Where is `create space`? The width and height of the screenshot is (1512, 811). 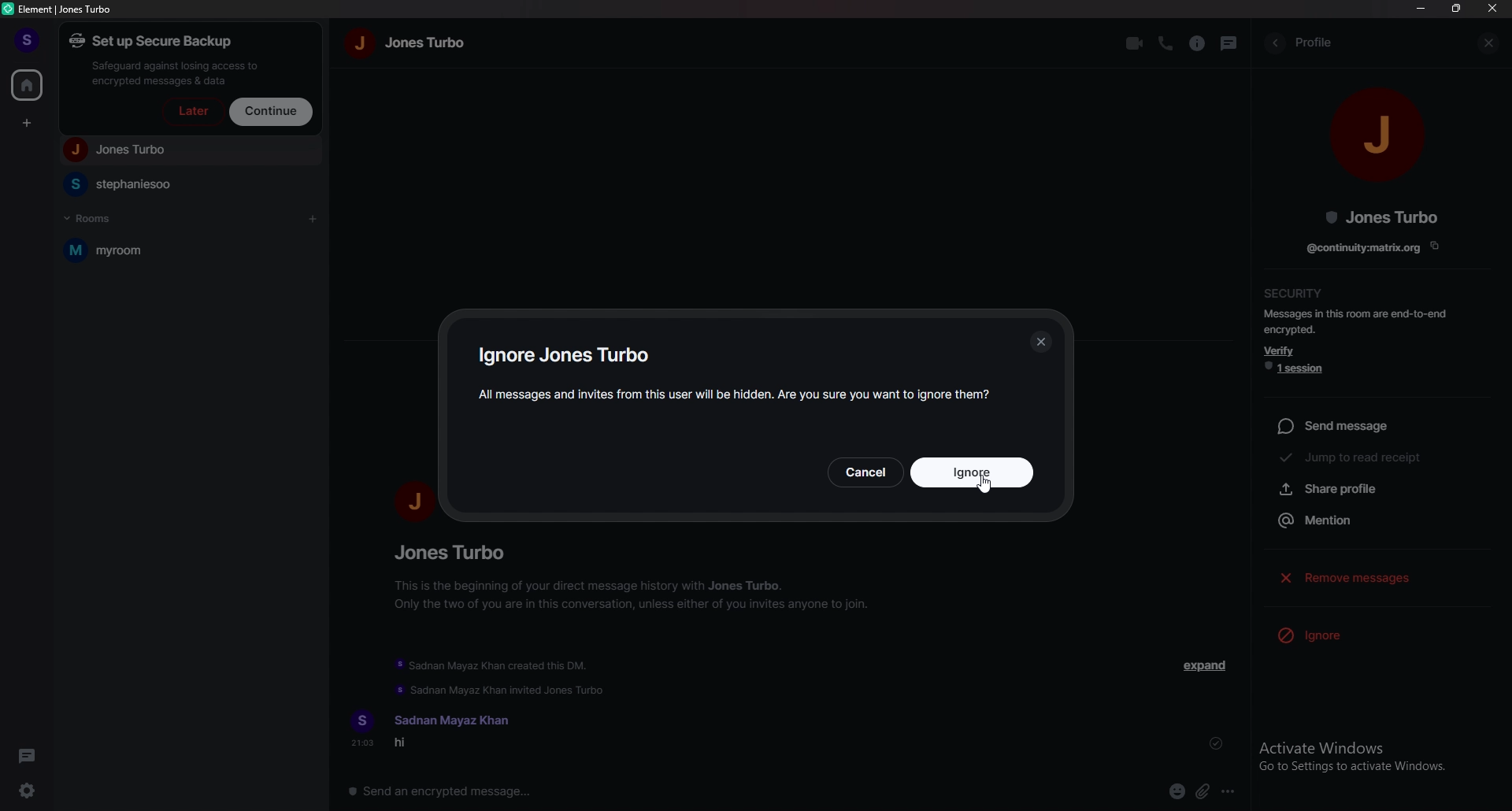 create space is located at coordinates (29, 124).